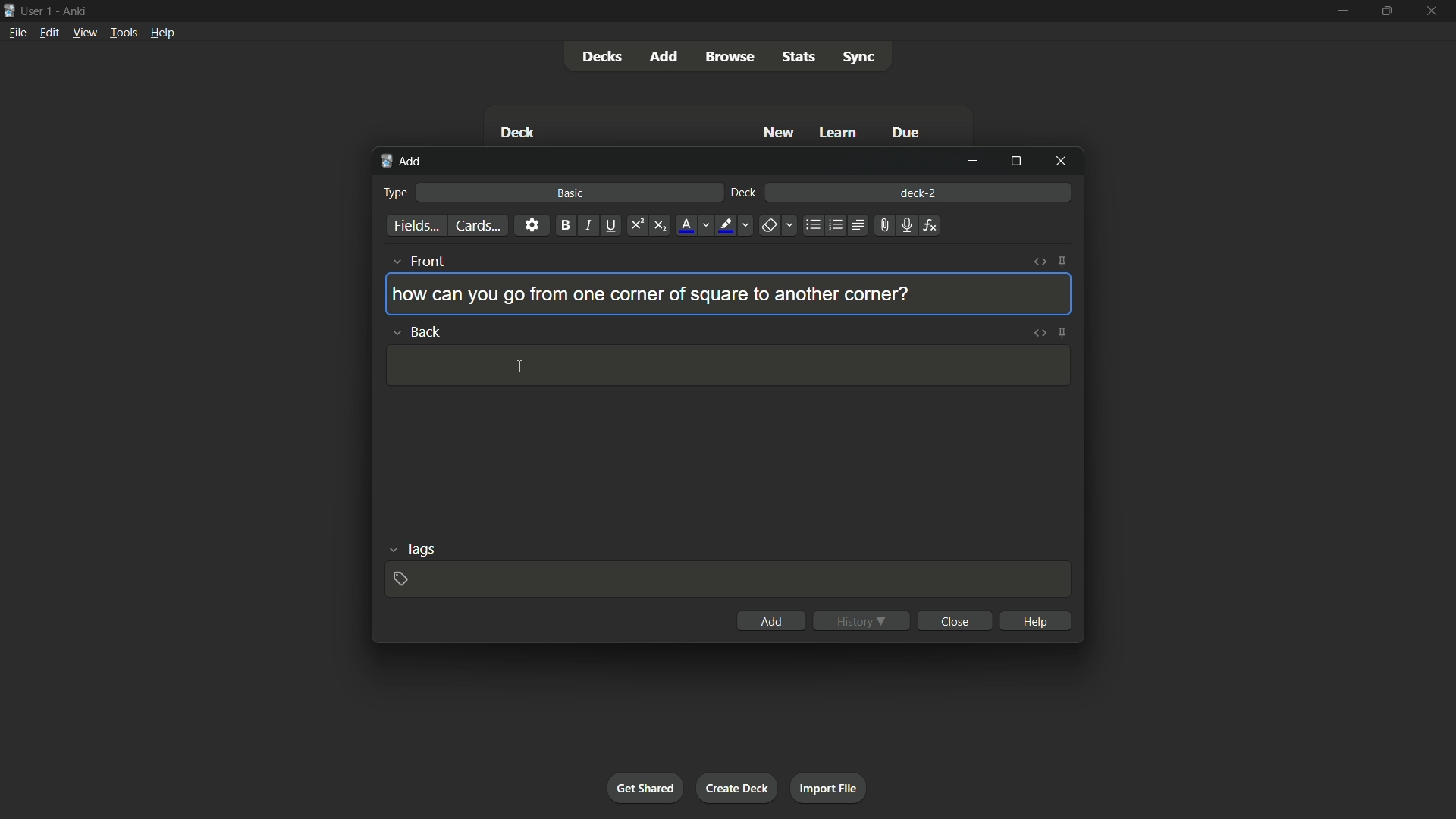  Describe the element at coordinates (521, 132) in the screenshot. I see `deck` at that location.